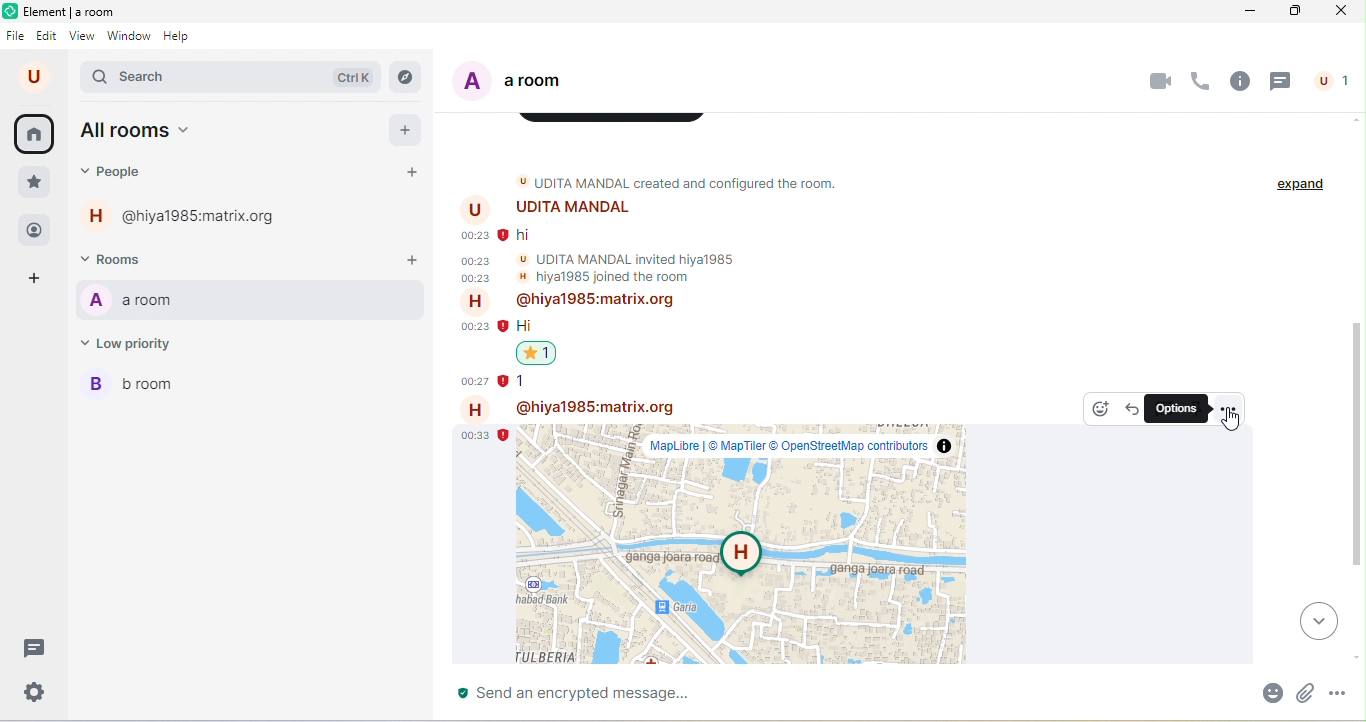 Image resolution: width=1366 pixels, height=722 pixels. I want to click on cursor movement, so click(1233, 421).